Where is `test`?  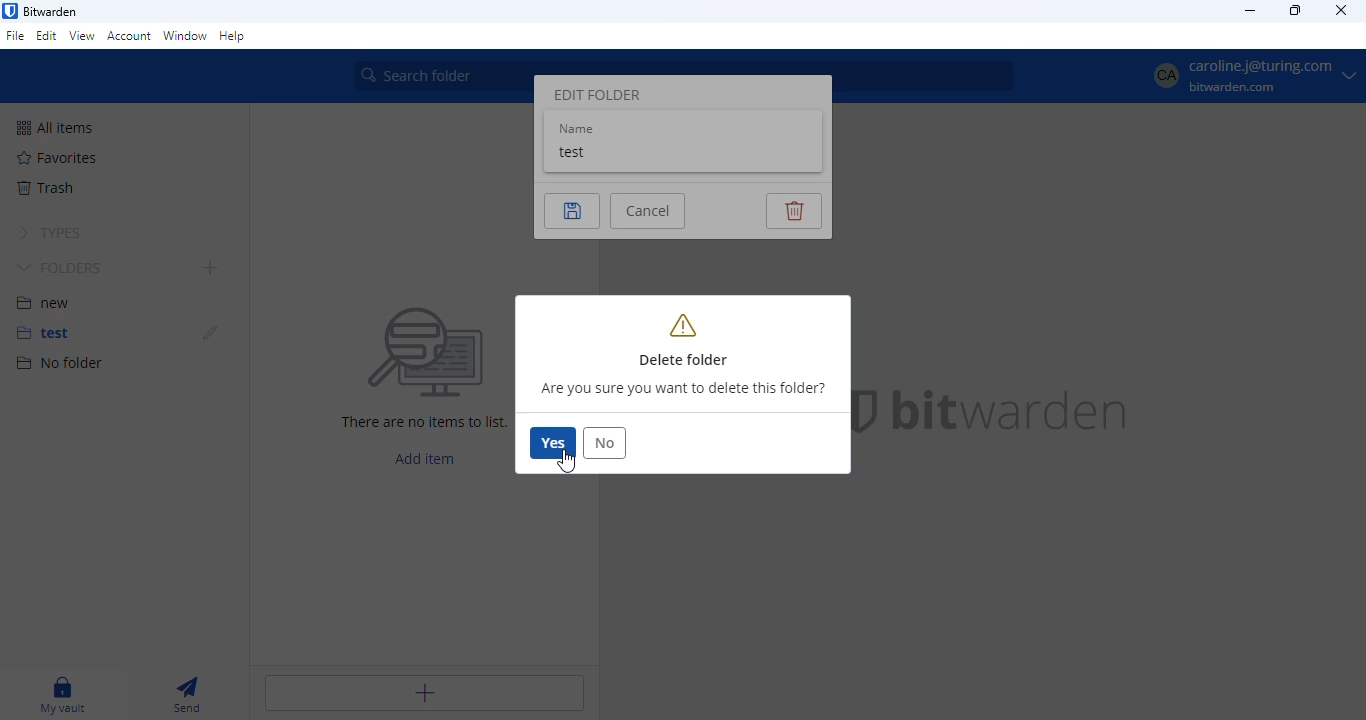
test is located at coordinates (40, 333).